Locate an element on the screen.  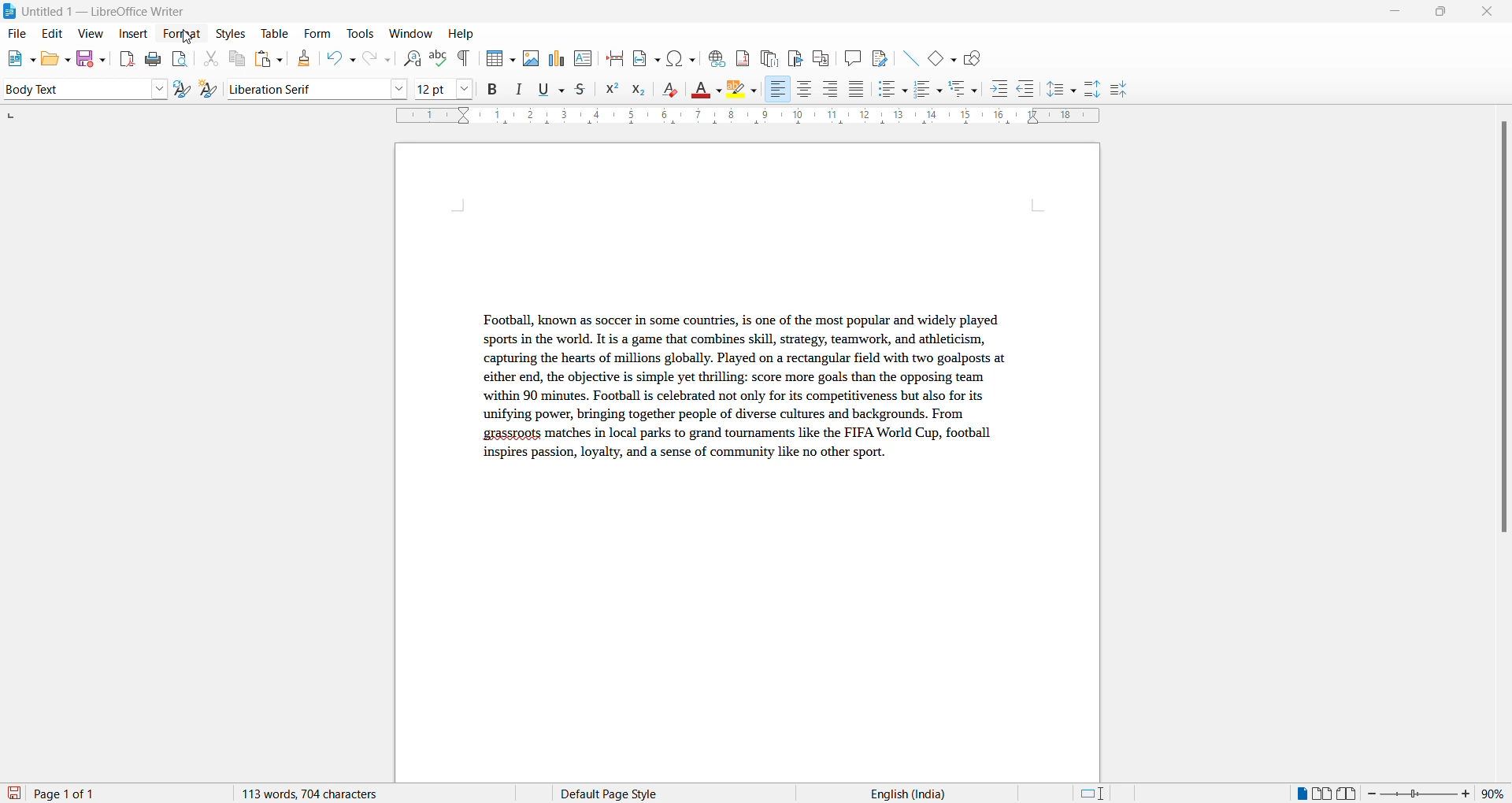
total page and current page is located at coordinates (79, 794).